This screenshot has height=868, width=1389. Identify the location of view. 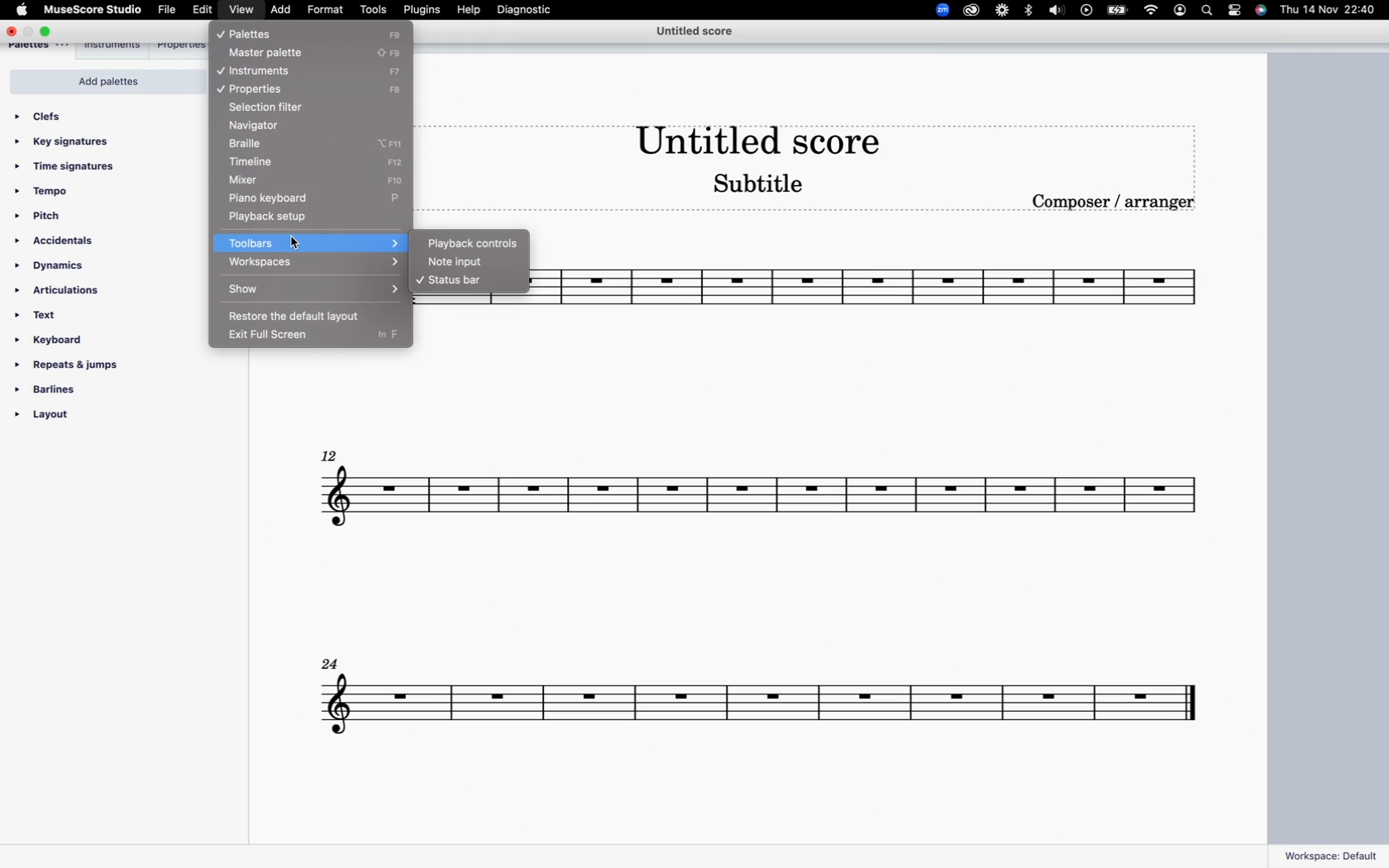
(240, 10).